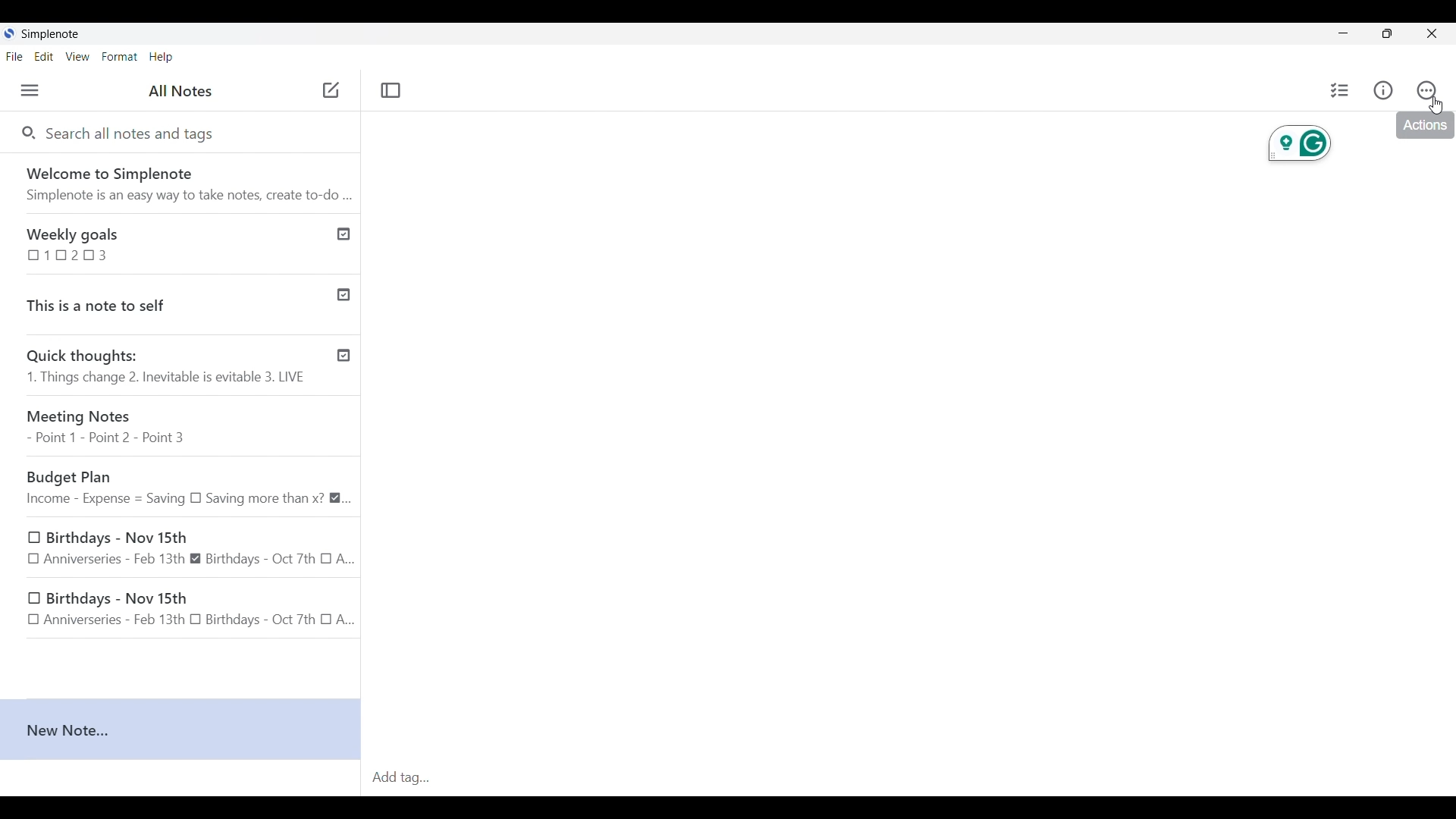 The image size is (1456, 819). Describe the element at coordinates (14, 56) in the screenshot. I see `File menu` at that location.